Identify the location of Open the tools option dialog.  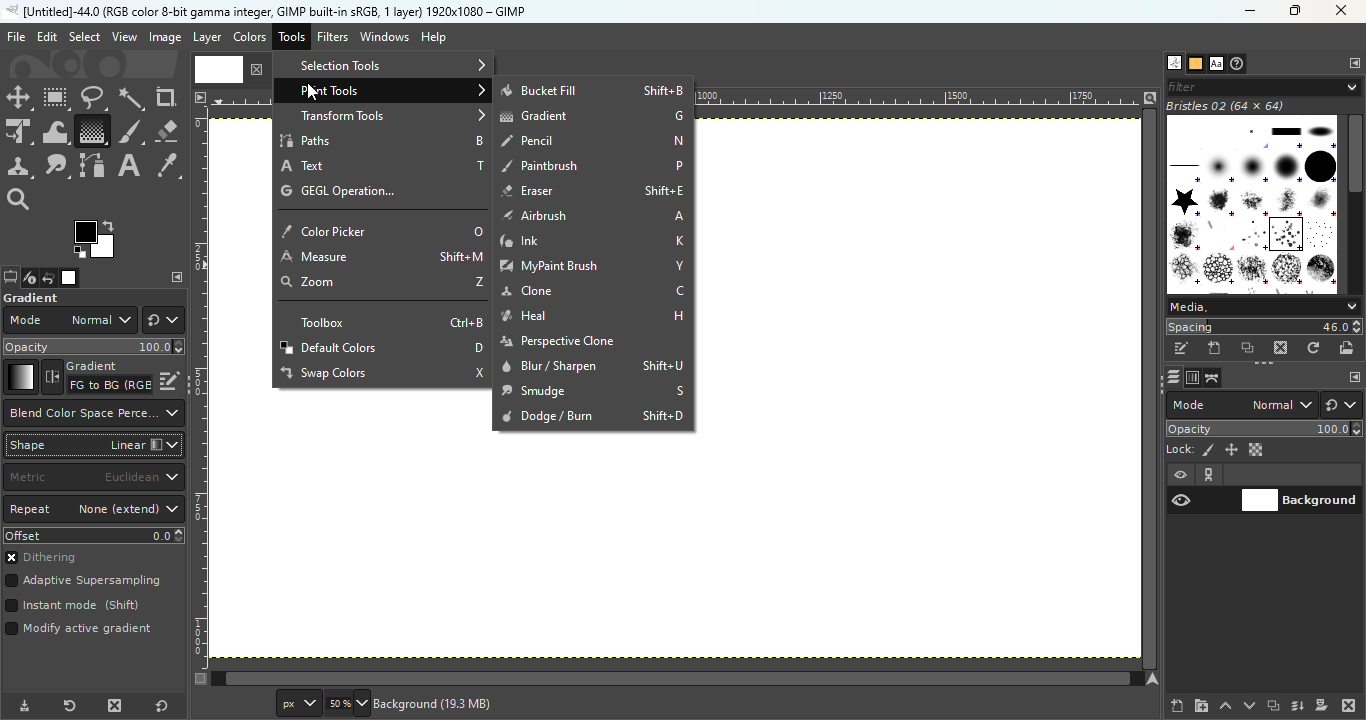
(9, 279).